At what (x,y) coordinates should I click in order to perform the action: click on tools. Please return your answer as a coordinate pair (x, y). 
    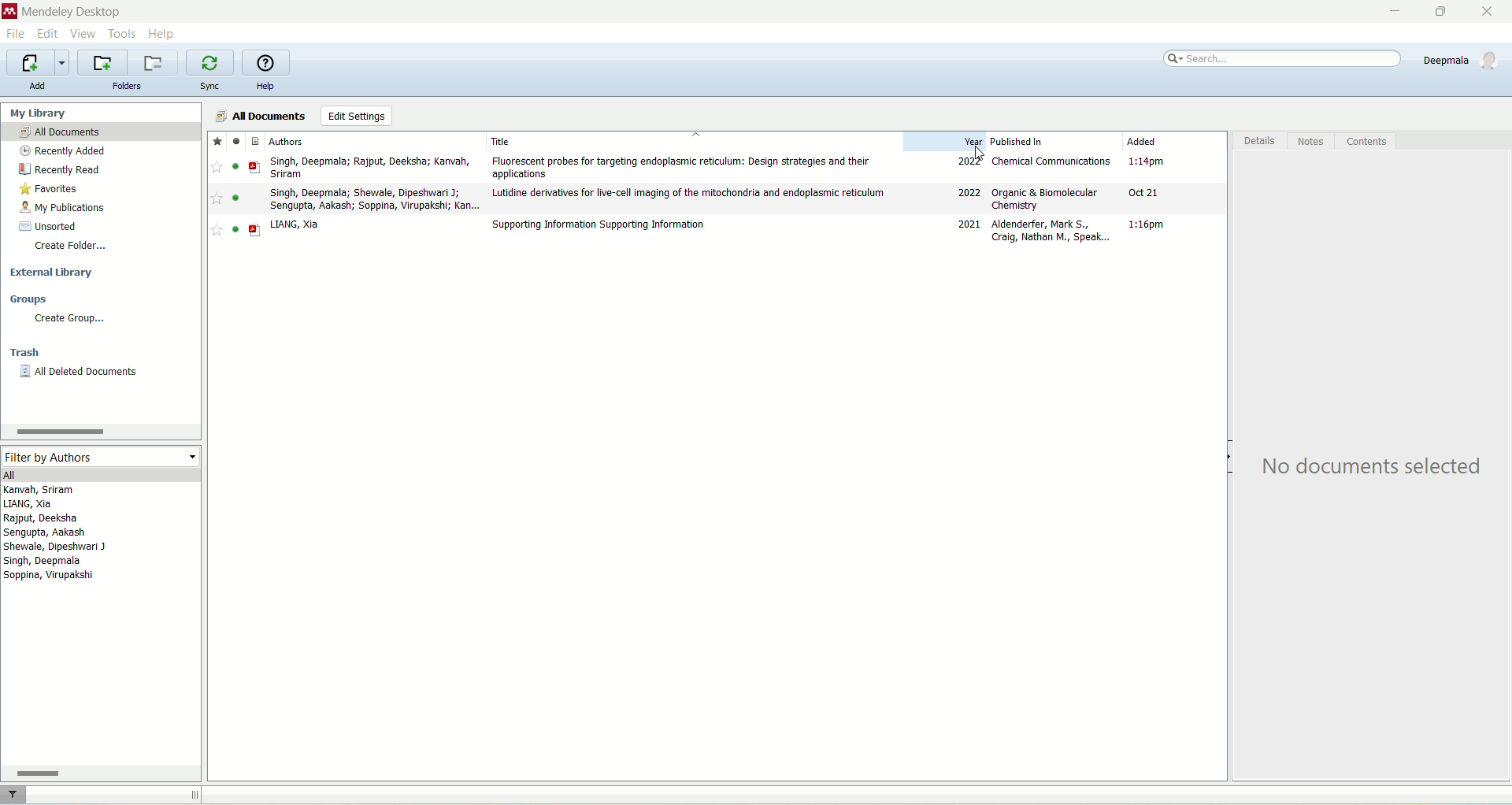
    Looking at the image, I should click on (123, 33).